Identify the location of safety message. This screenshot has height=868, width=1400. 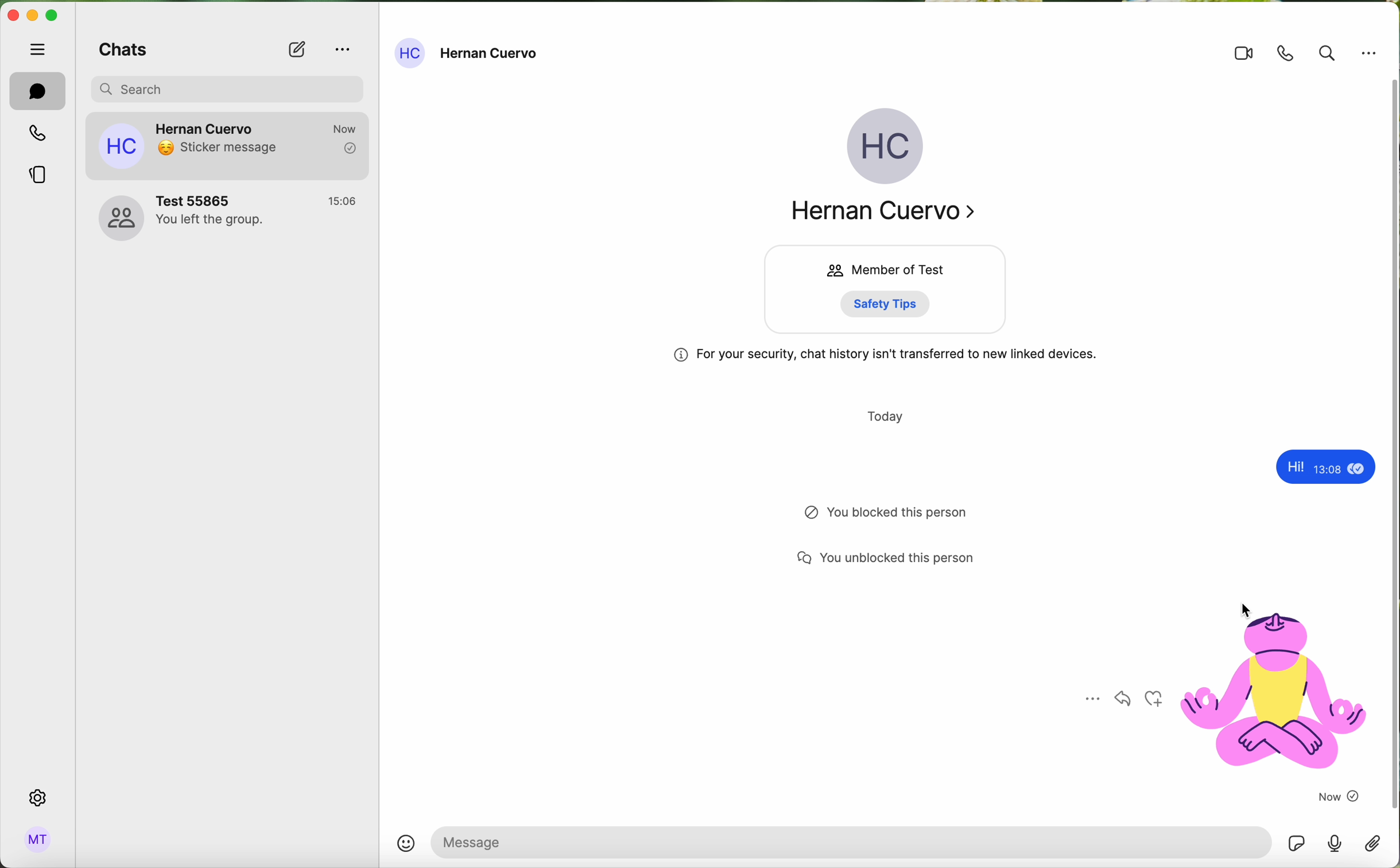
(888, 356).